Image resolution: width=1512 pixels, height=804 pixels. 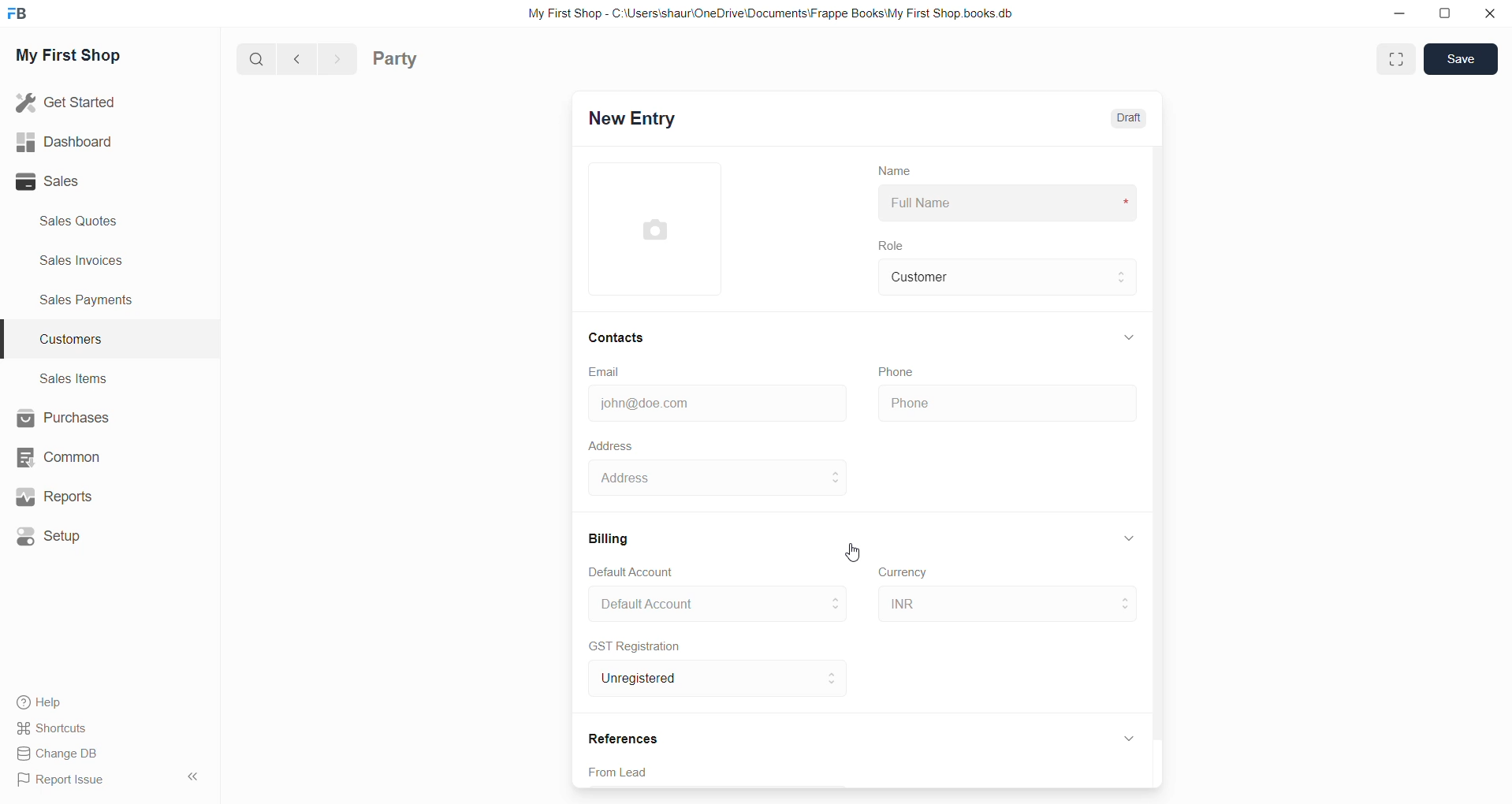 I want to click on Contacts, so click(x=620, y=337).